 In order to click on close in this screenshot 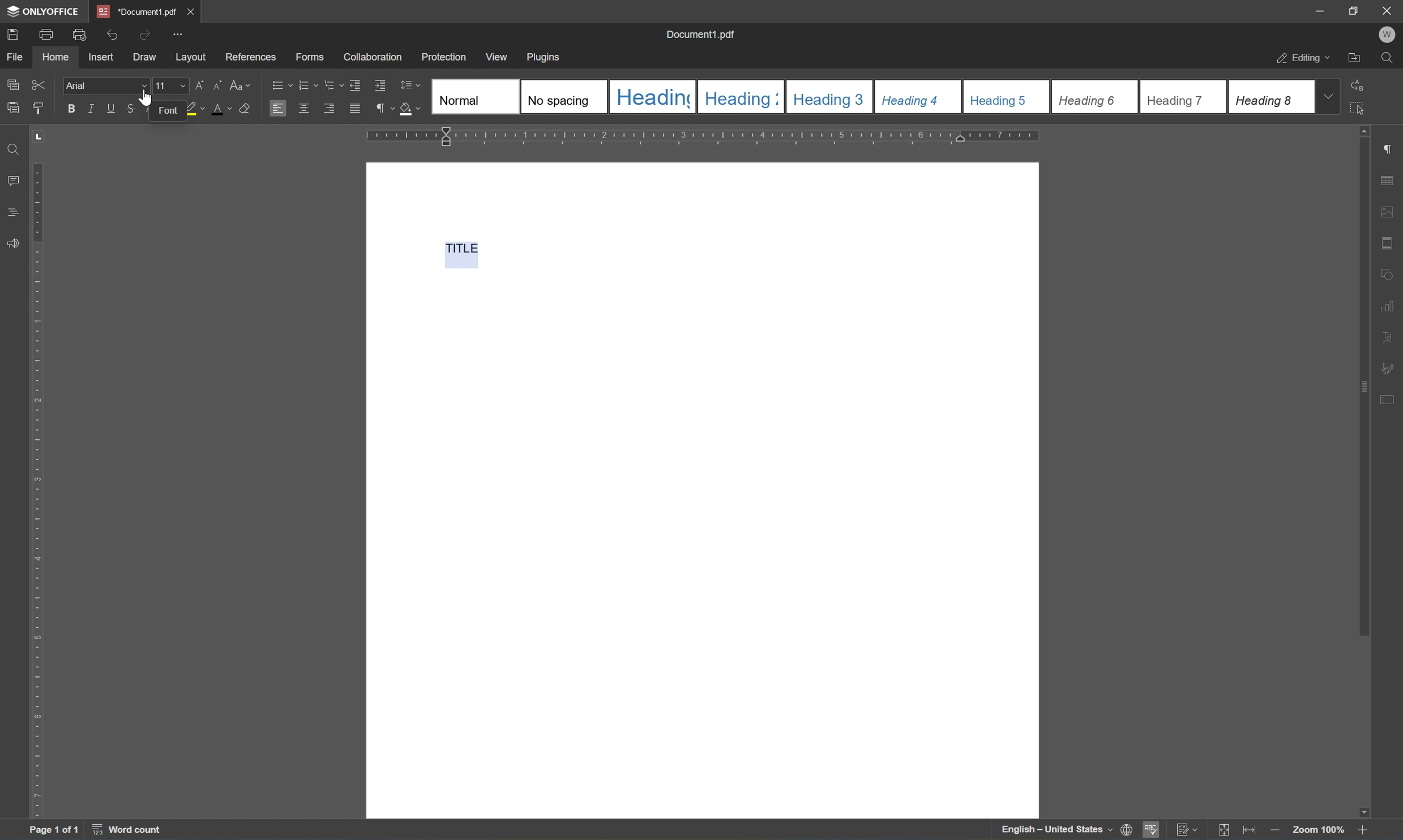, I will do `click(190, 11)`.